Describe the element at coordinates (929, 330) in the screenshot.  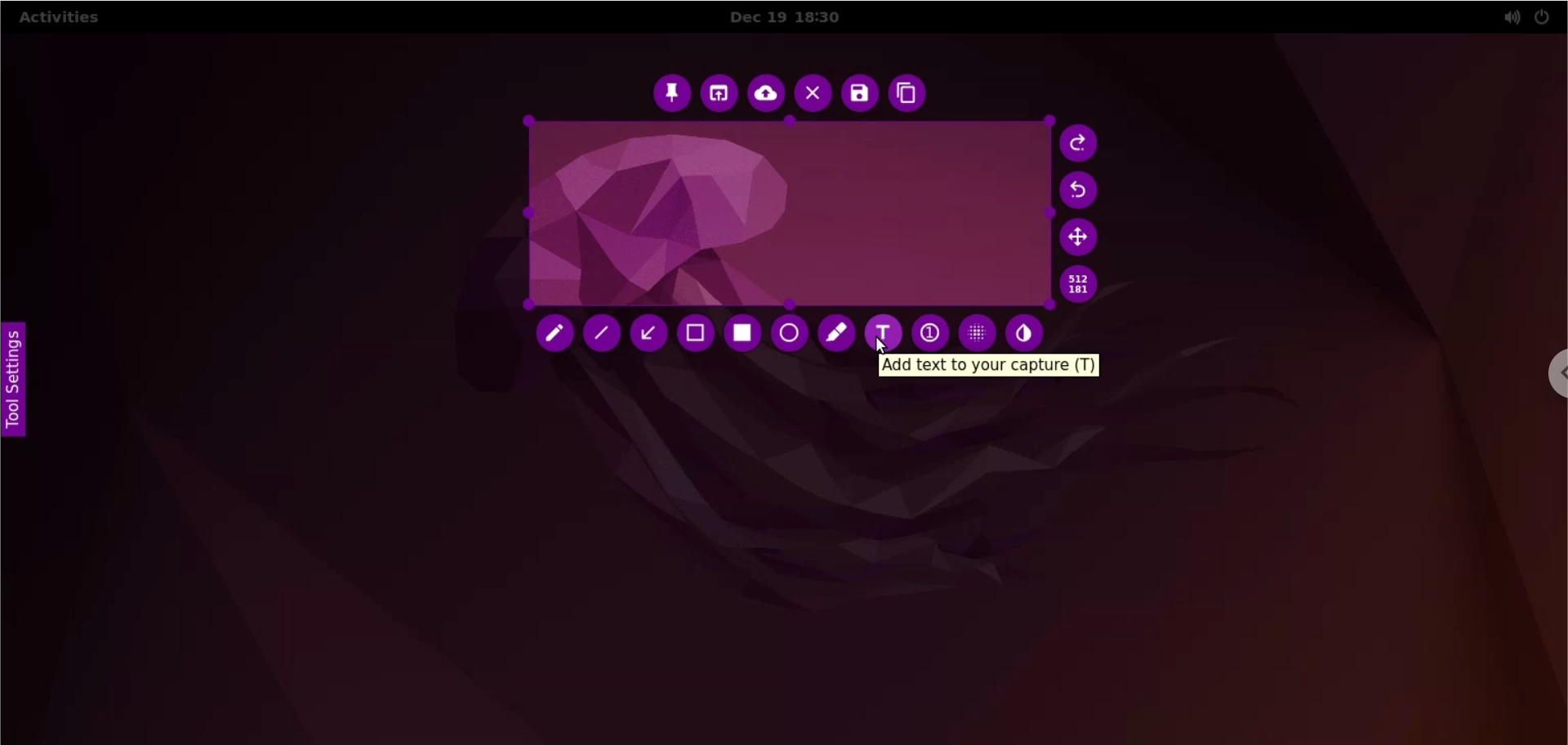
I see `auto increment value` at that location.